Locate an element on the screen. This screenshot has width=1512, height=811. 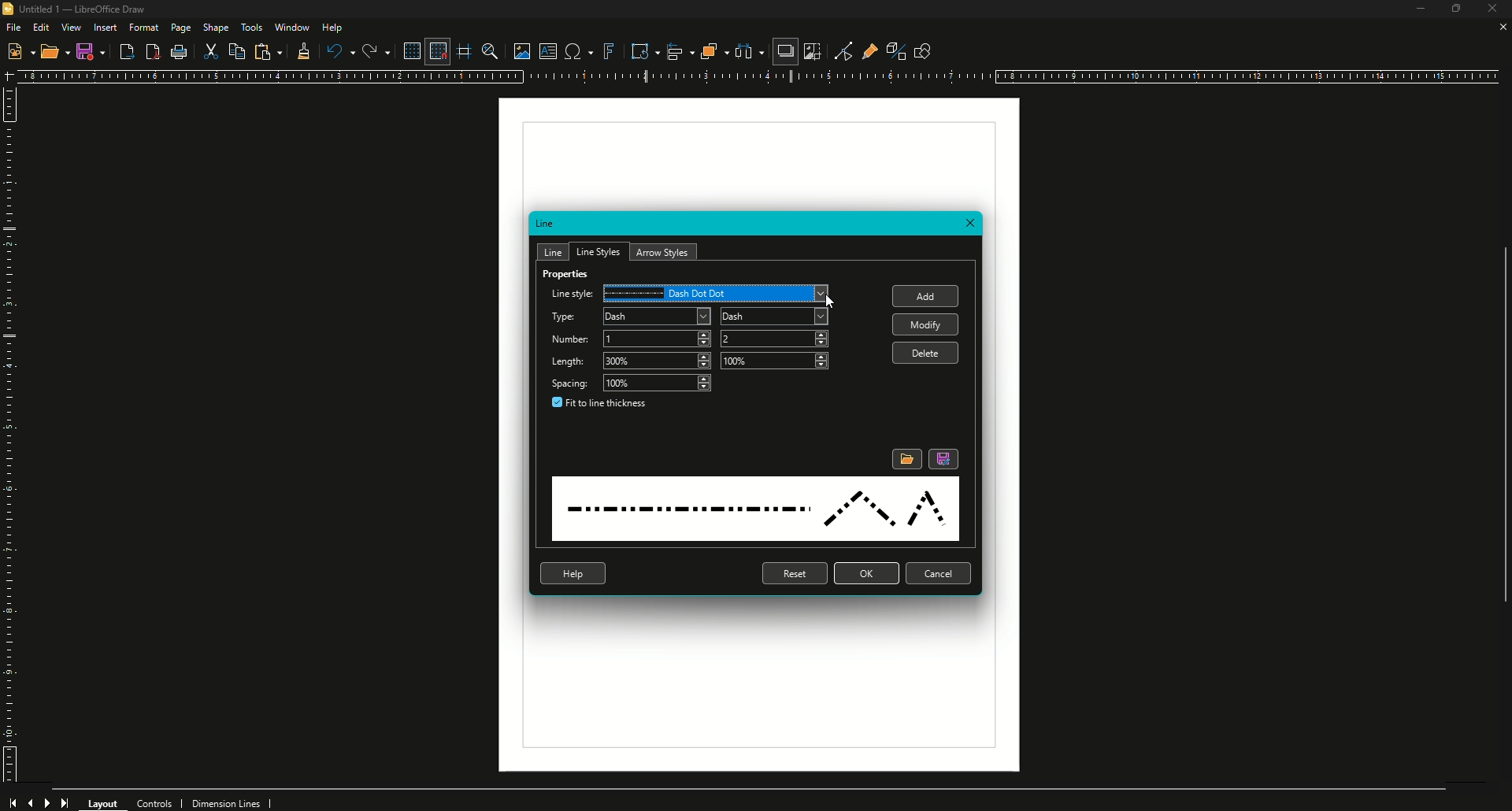
Print is located at coordinates (180, 54).